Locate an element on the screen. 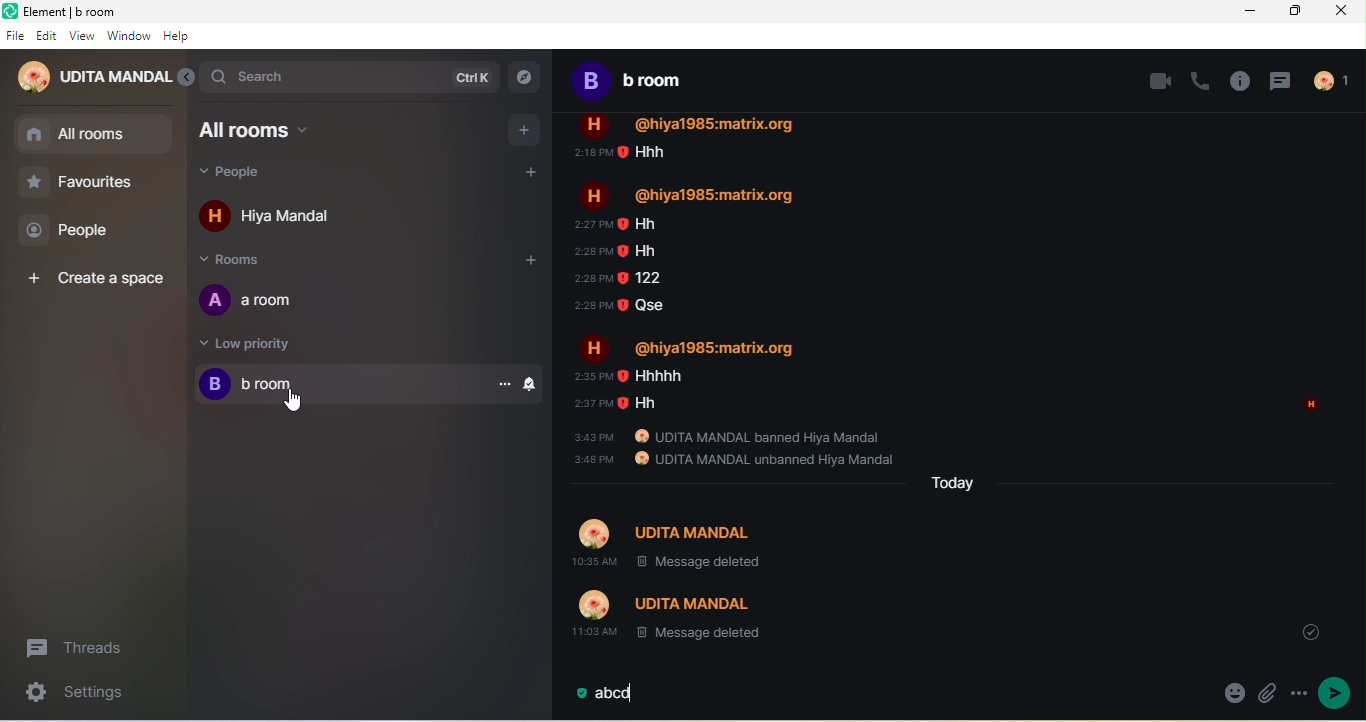 This screenshot has width=1366, height=722. hiya mandal is located at coordinates (296, 218).